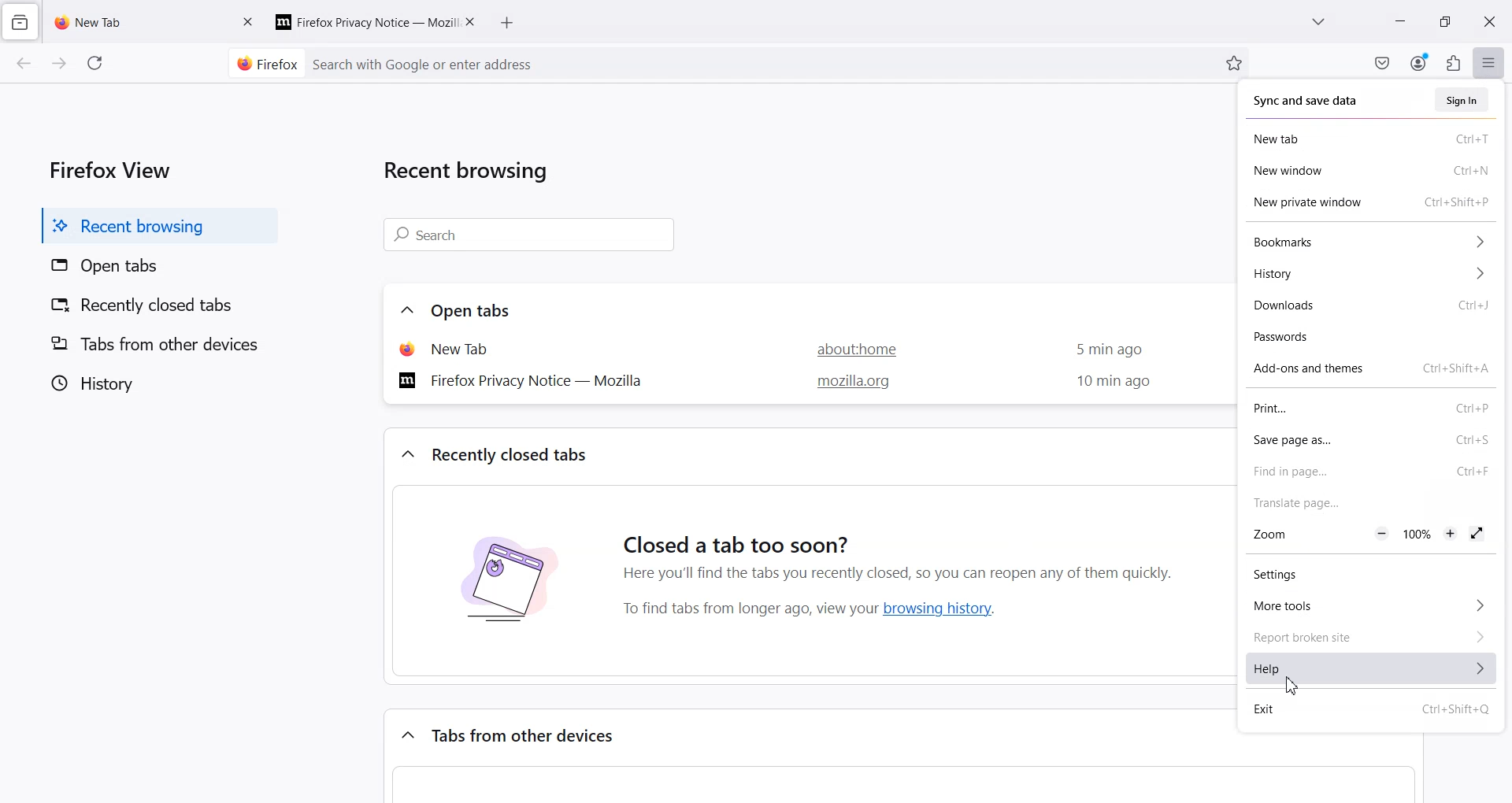  Describe the element at coordinates (1372, 201) in the screenshot. I see `New private window` at that location.